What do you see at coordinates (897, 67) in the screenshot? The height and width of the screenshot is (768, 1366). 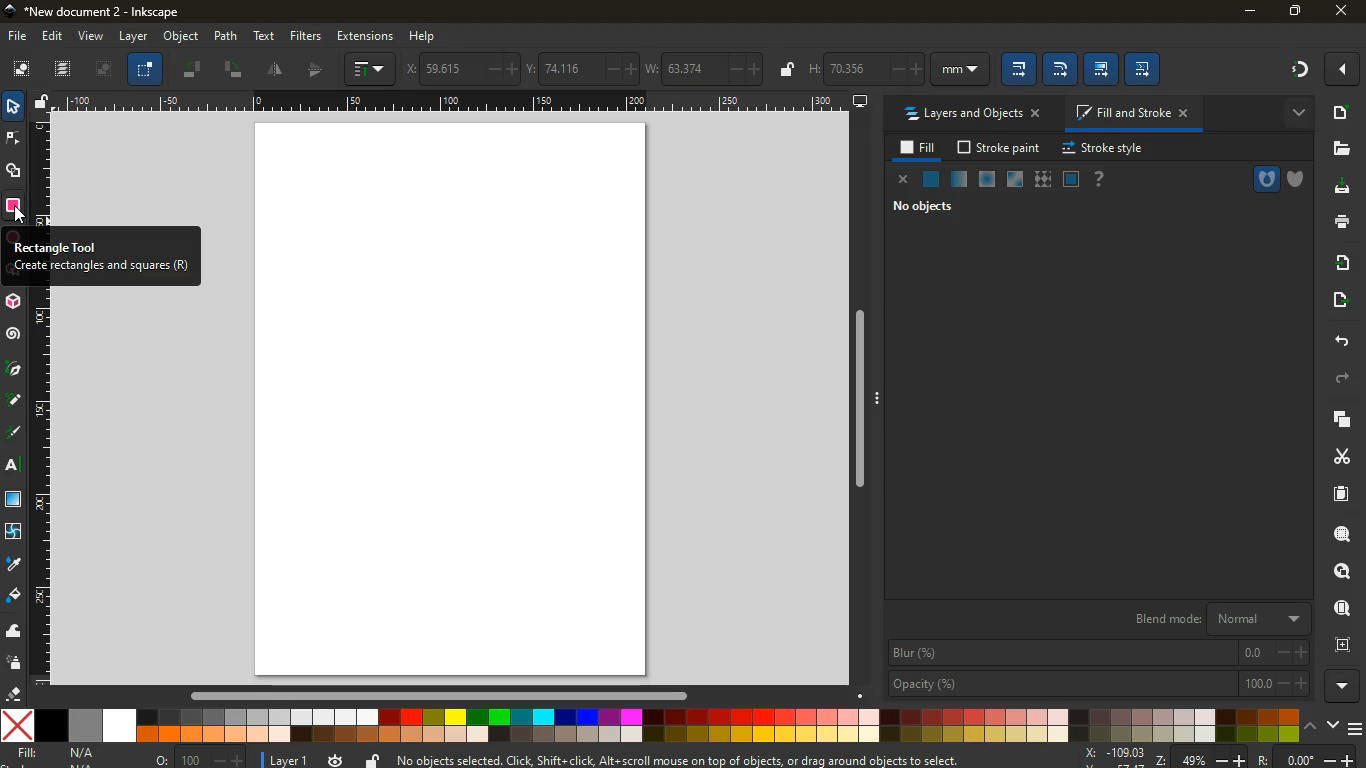 I see `h` at bounding box center [897, 67].